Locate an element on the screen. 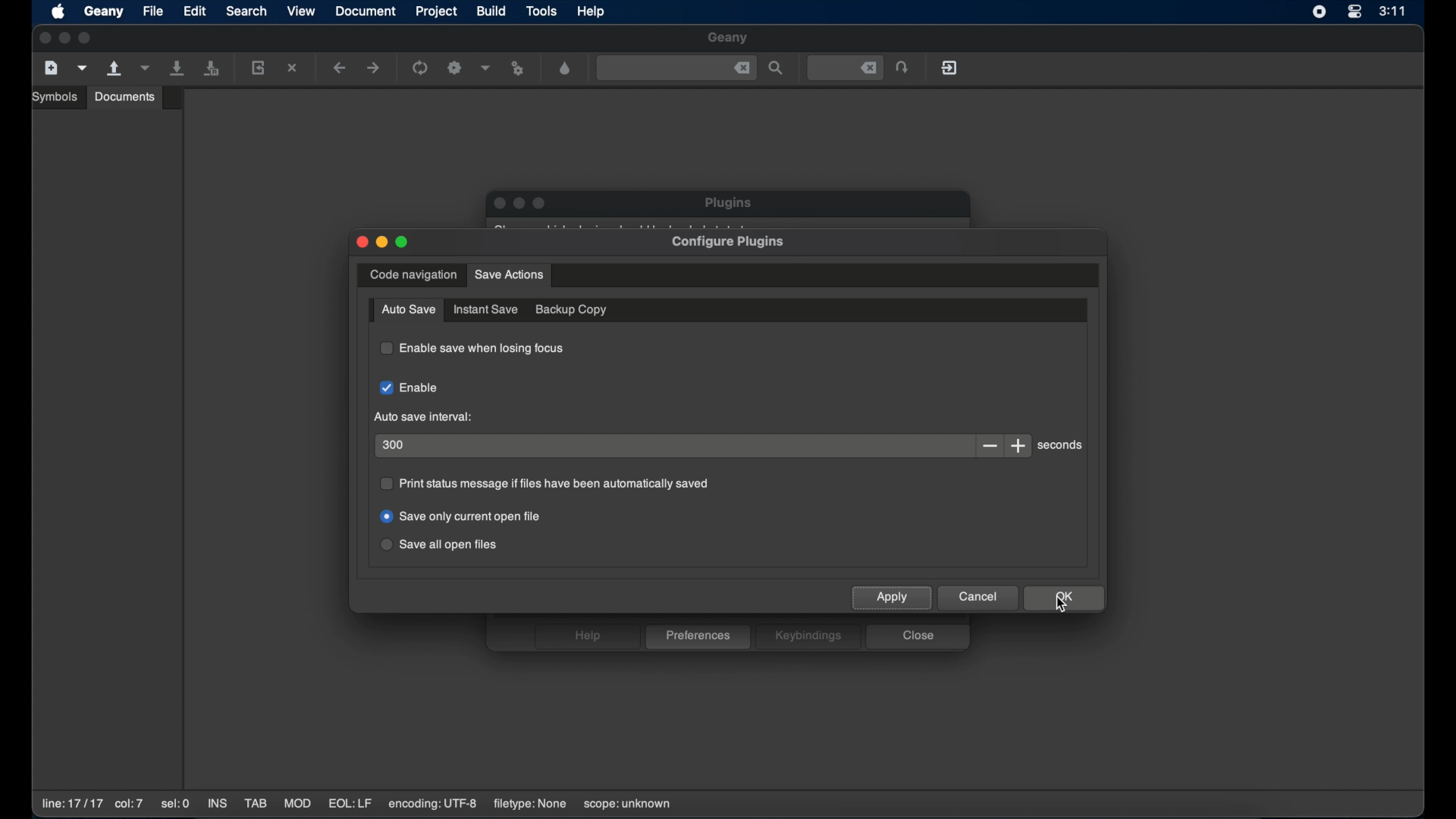 This screenshot has width=1456, height=819. code navigation is located at coordinates (413, 275).